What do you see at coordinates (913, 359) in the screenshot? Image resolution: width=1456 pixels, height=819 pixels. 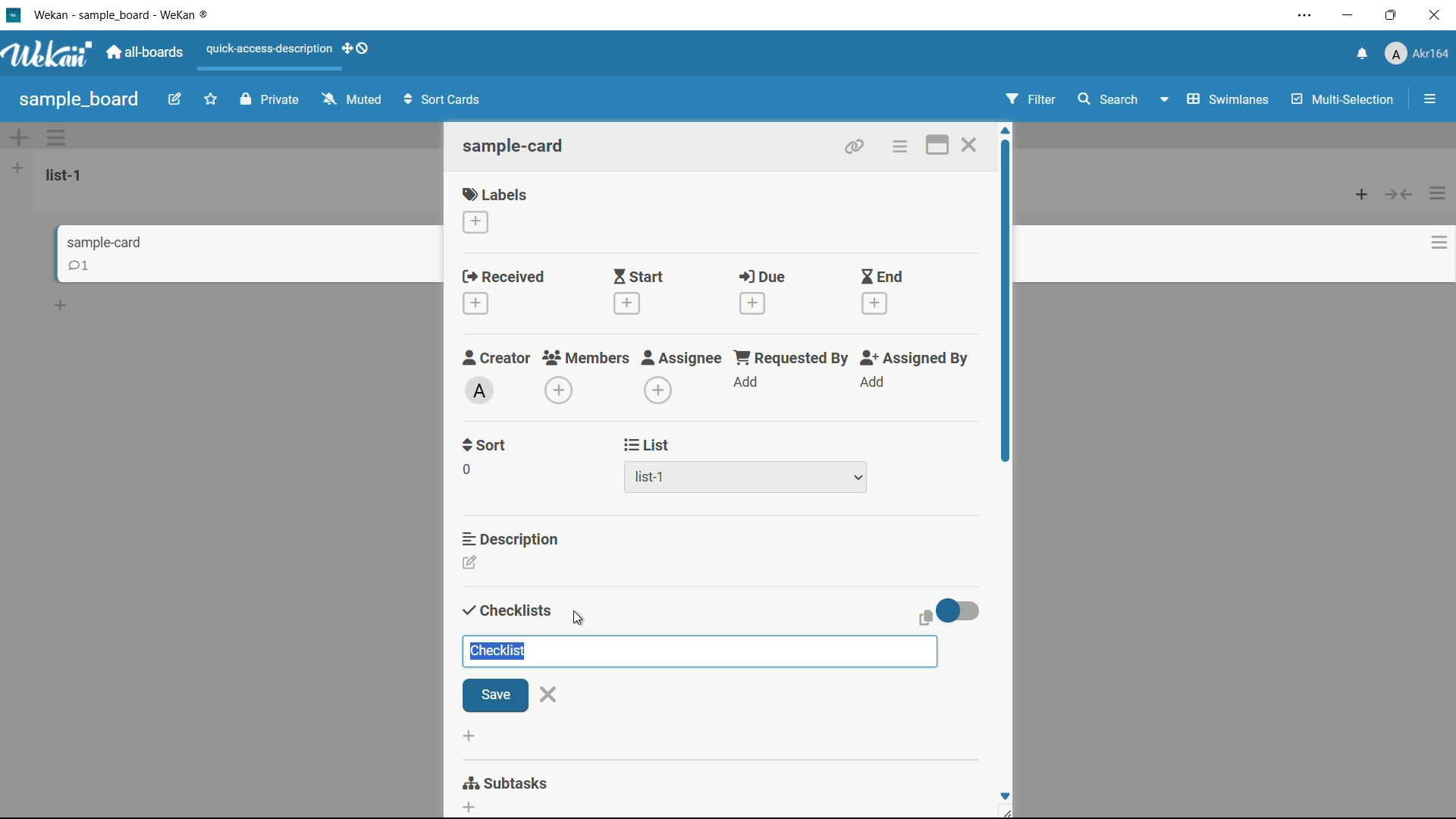 I see `assigned by` at bounding box center [913, 359].